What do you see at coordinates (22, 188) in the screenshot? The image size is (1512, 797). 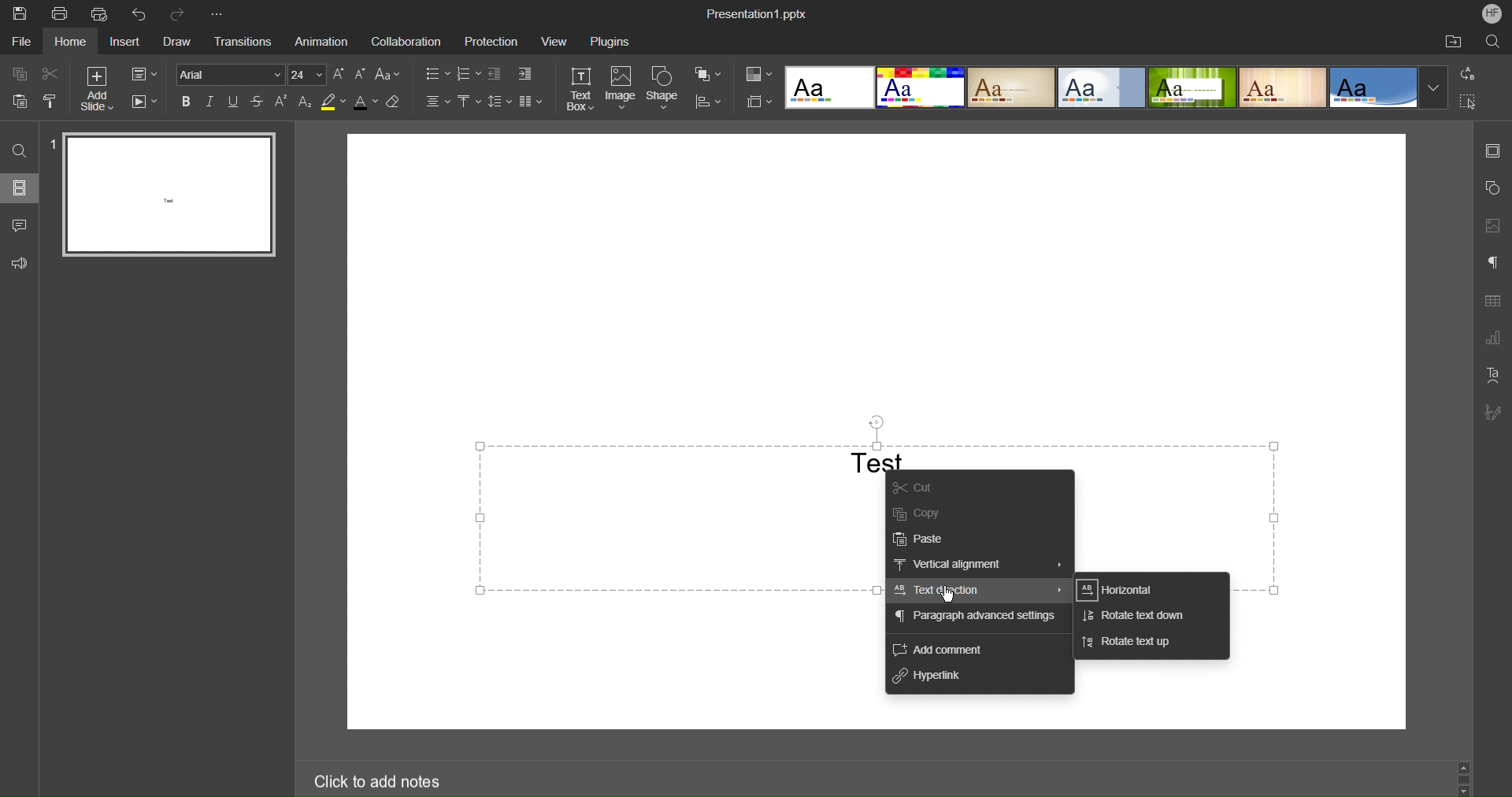 I see `Slides` at bounding box center [22, 188].